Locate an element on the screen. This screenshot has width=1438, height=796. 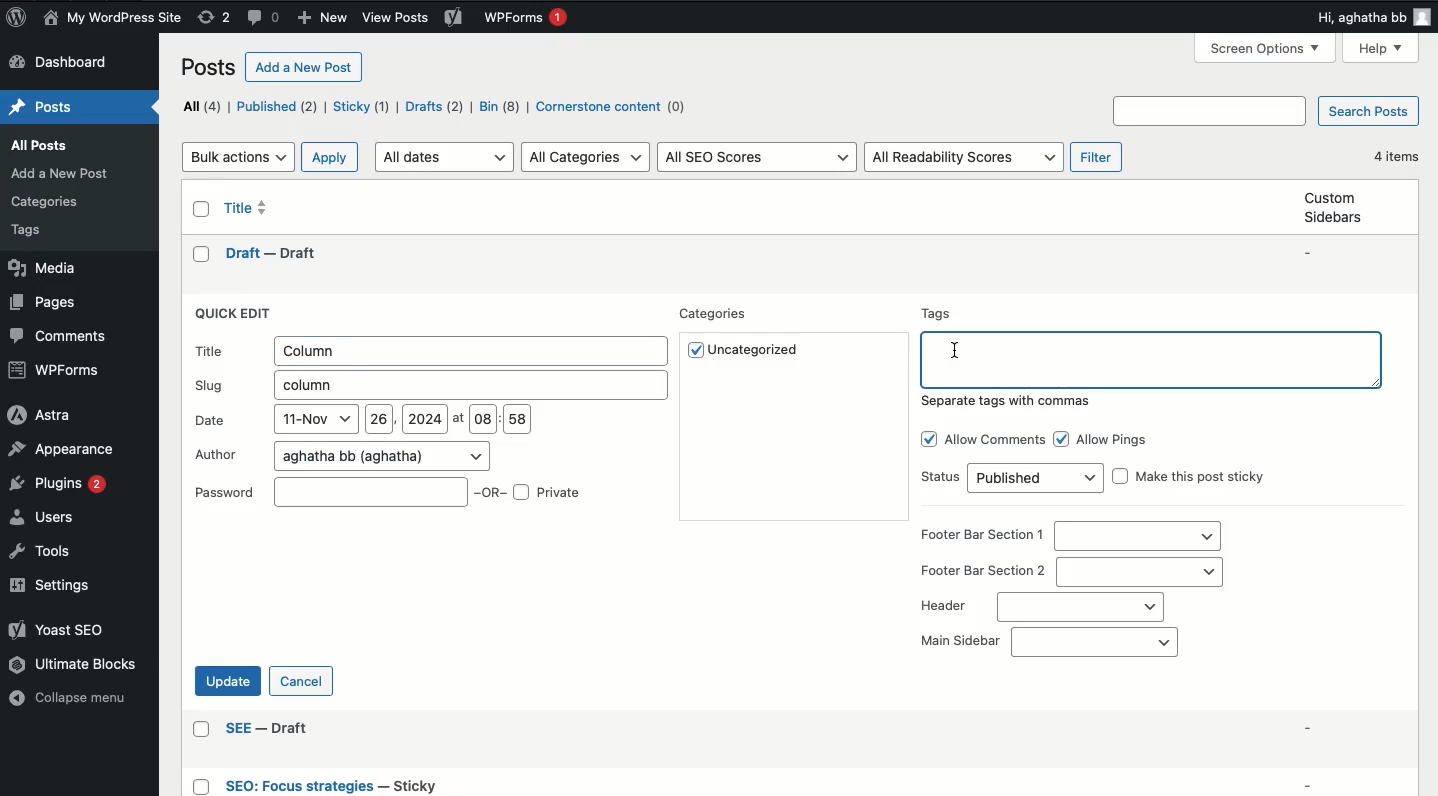
checkbox is located at coordinates (202, 254).